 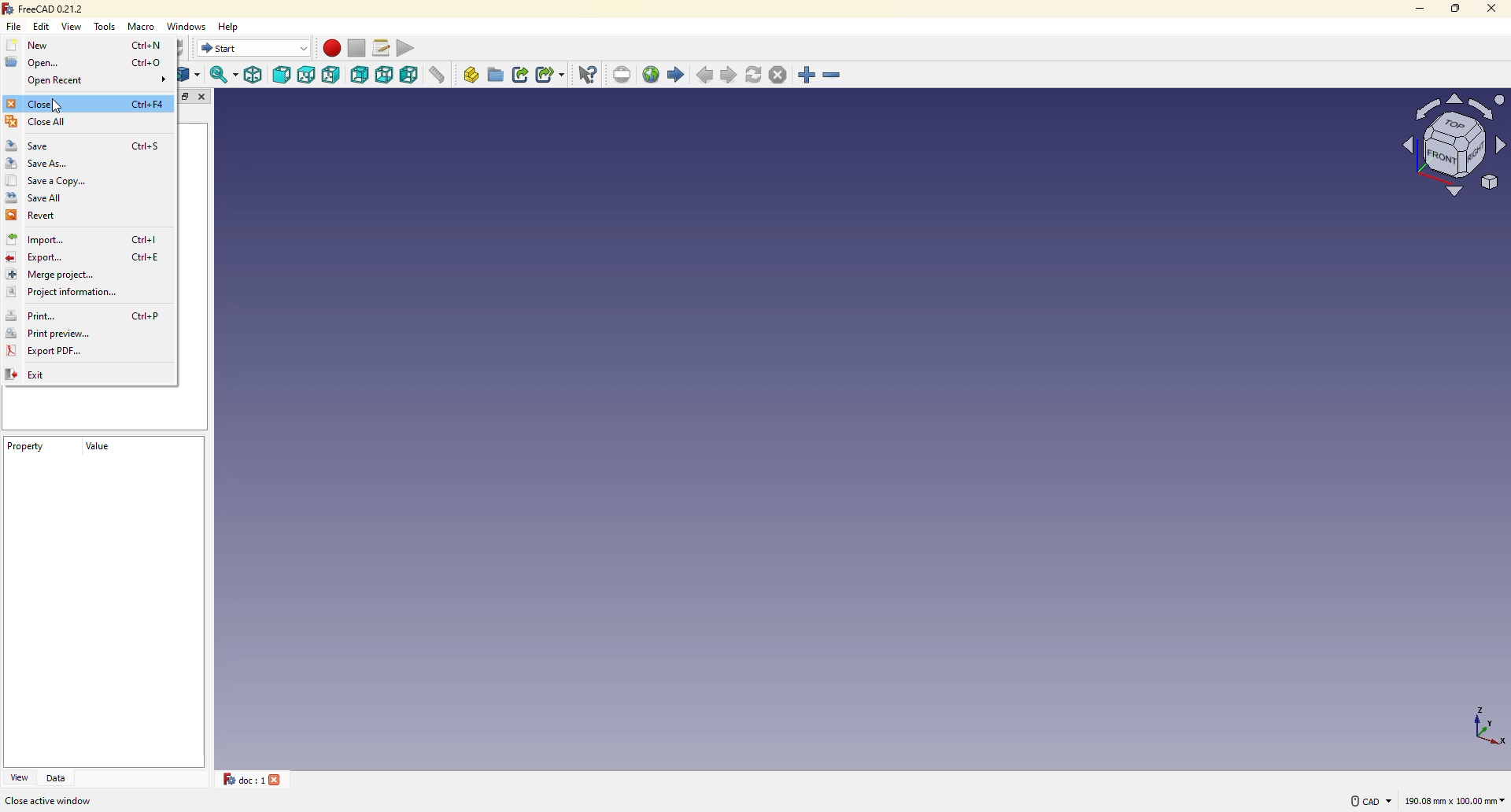 What do you see at coordinates (1450, 143) in the screenshot?
I see `model view` at bounding box center [1450, 143].